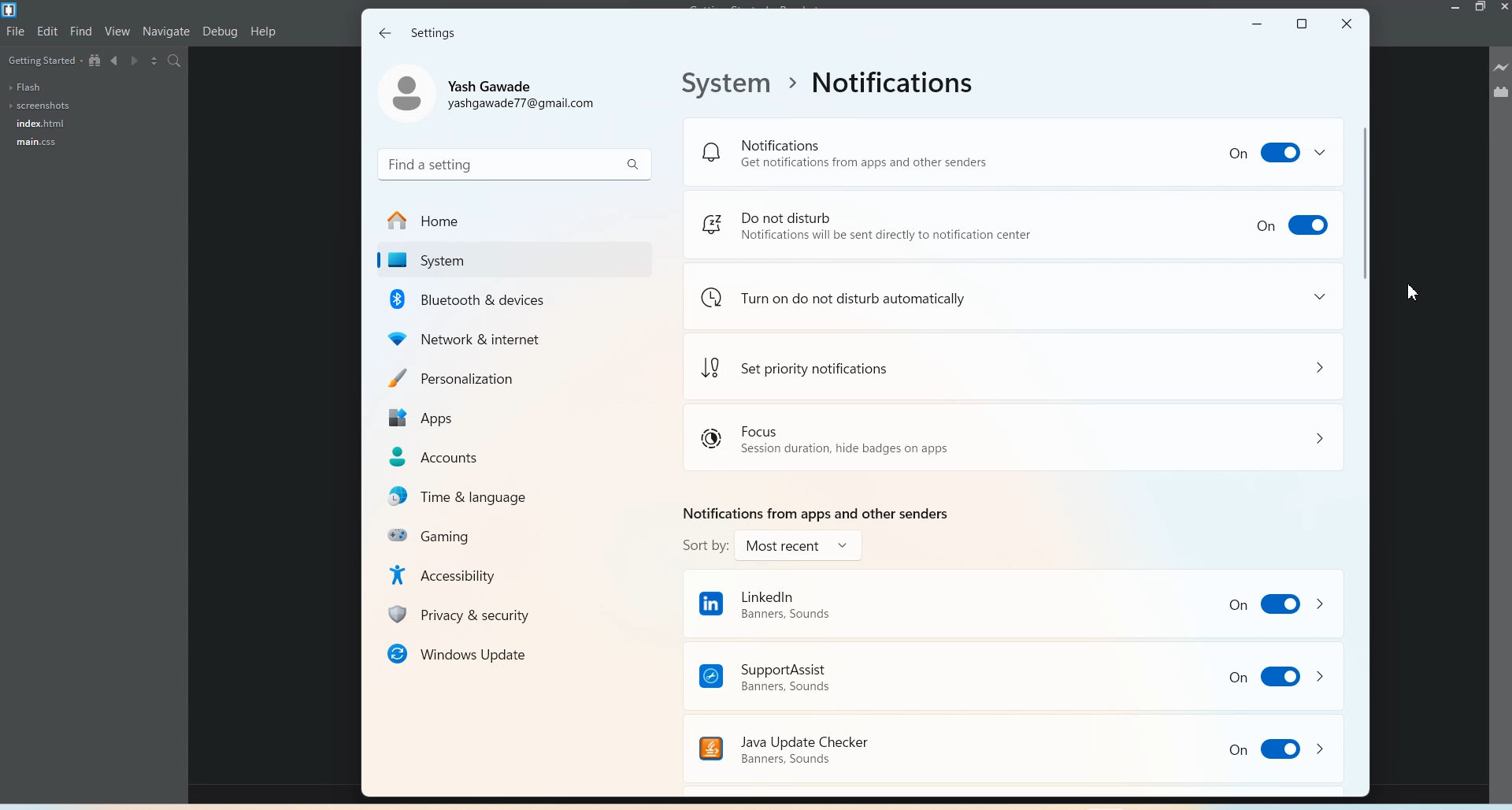  Describe the element at coordinates (175, 61) in the screenshot. I see `Find in files` at that location.